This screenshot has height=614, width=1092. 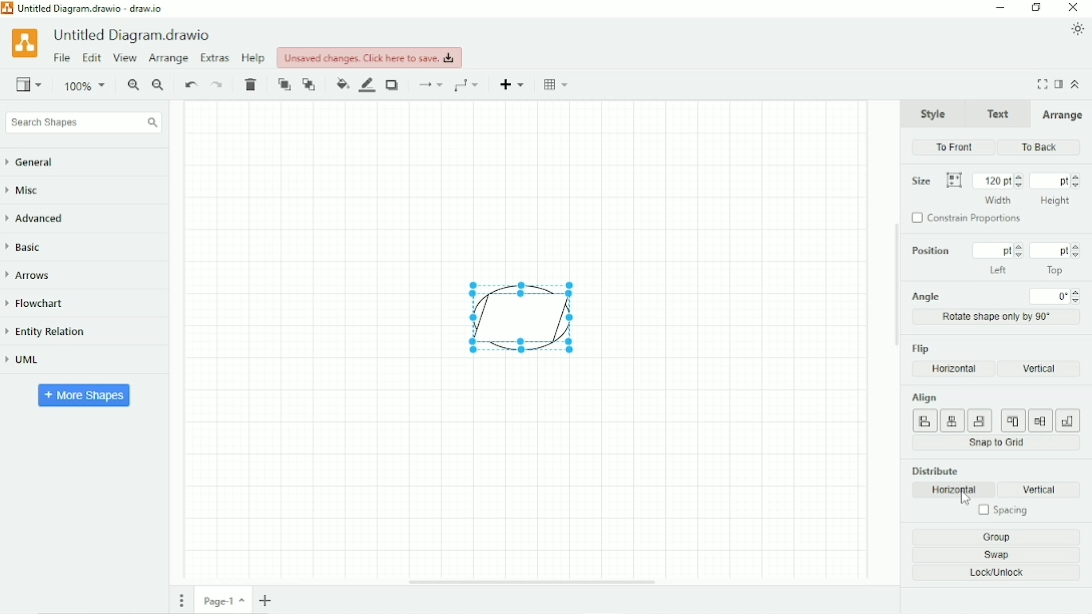 I want to click on Spacing, so click(x=1001, y=512).